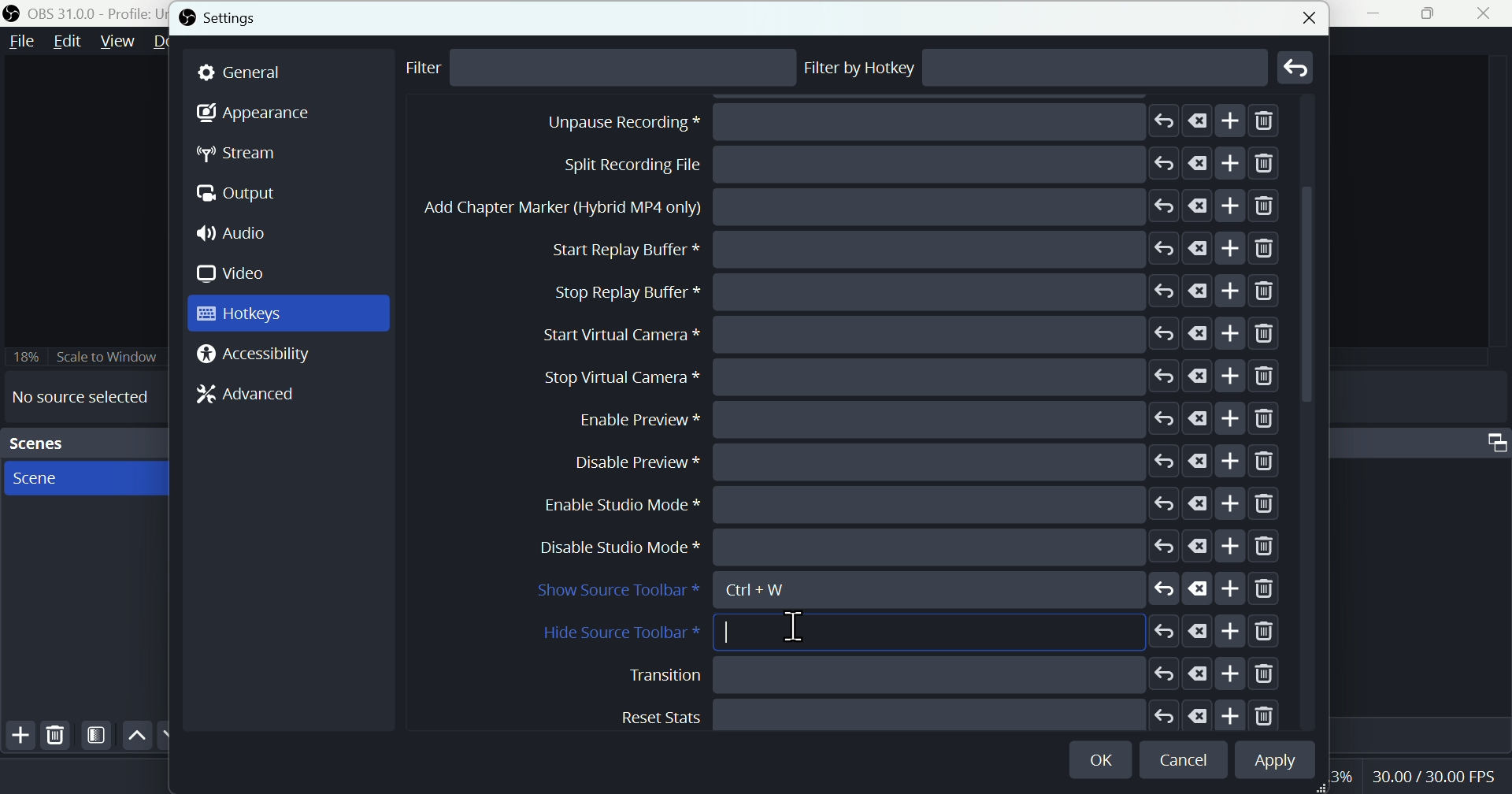 This screenshot has width=1512, height=794. I want to click on Add chapter marker, so click(915, 377).